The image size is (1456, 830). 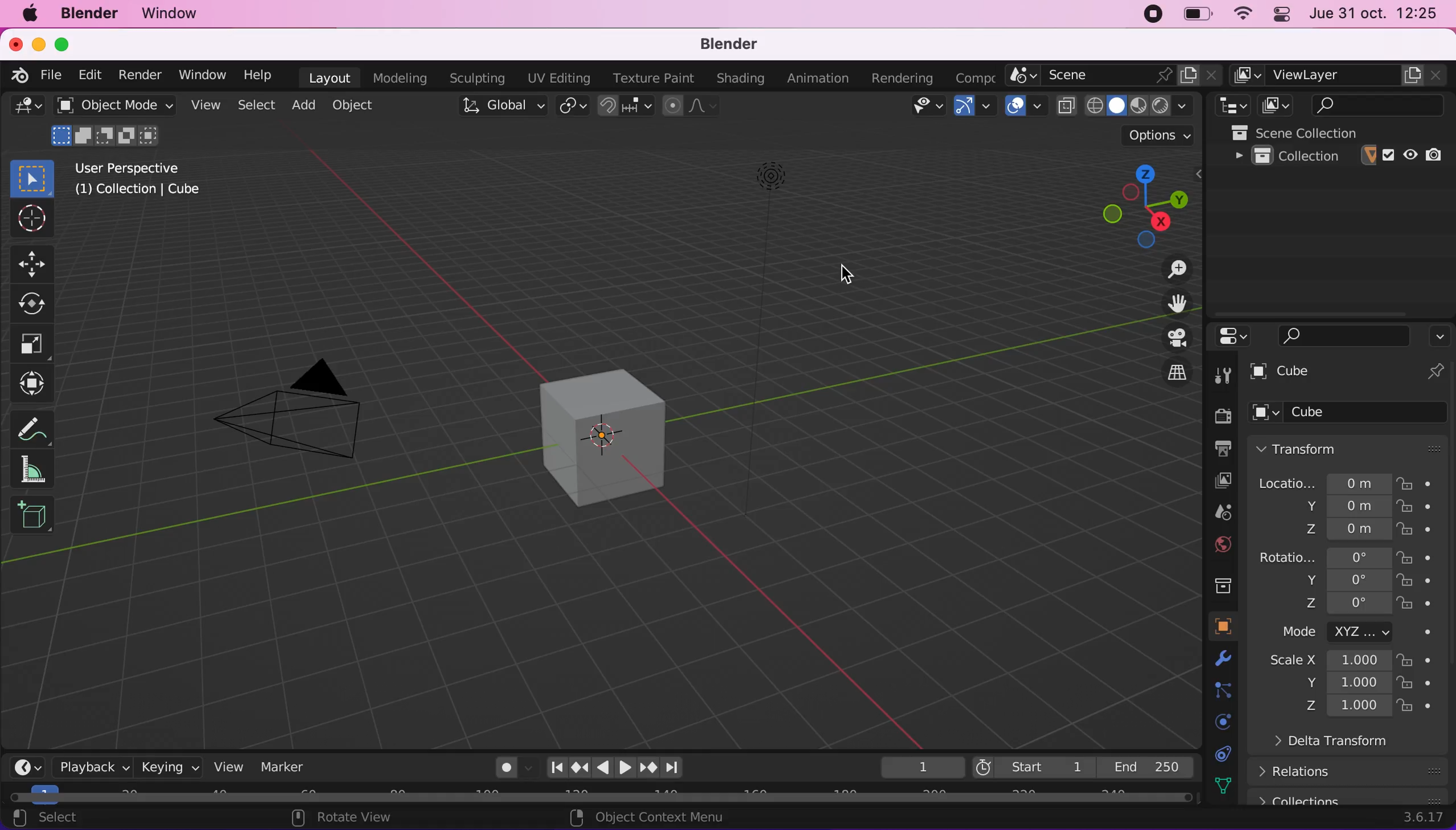 I want to click on transformation orientation, so click(x=505, y=105).